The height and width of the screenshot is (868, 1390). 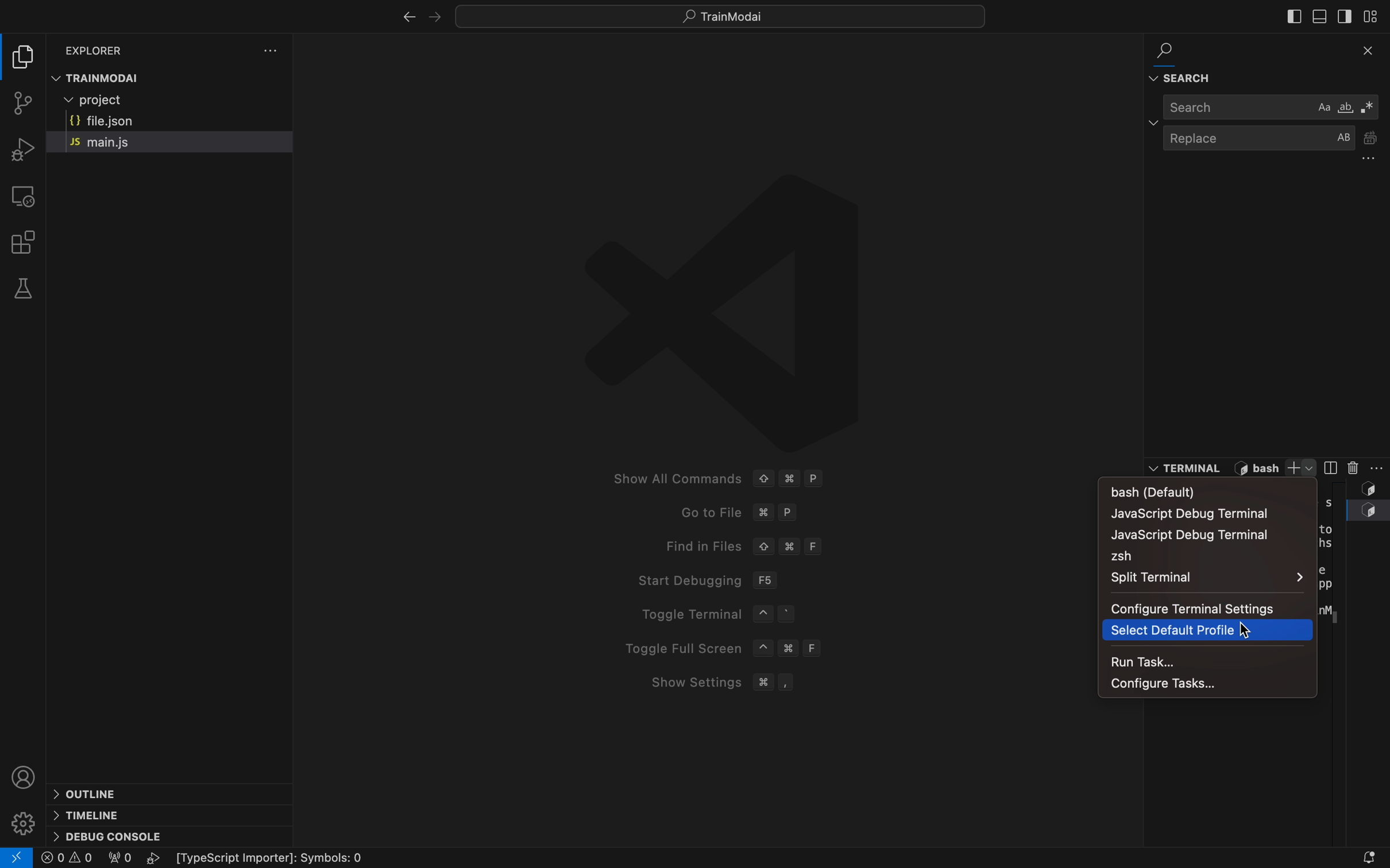 What do you see at coordinates (1207, 557) in the screenshot?
I see `` at bounding box center [1207, 557].